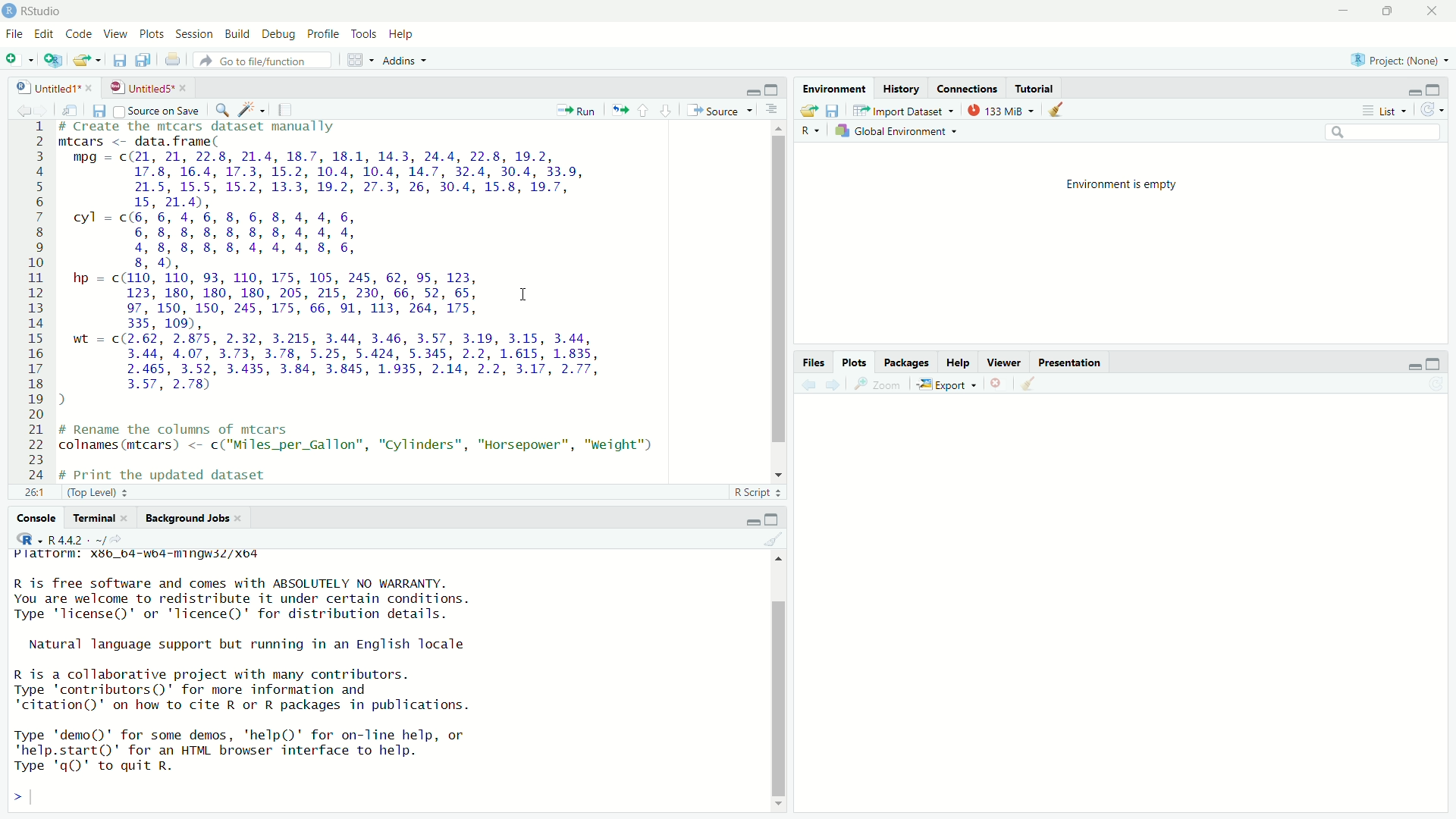  What do you see at coordinates (1005, 363) in the screenshot?
I see `viewer` at bounding box center [1005, 363].